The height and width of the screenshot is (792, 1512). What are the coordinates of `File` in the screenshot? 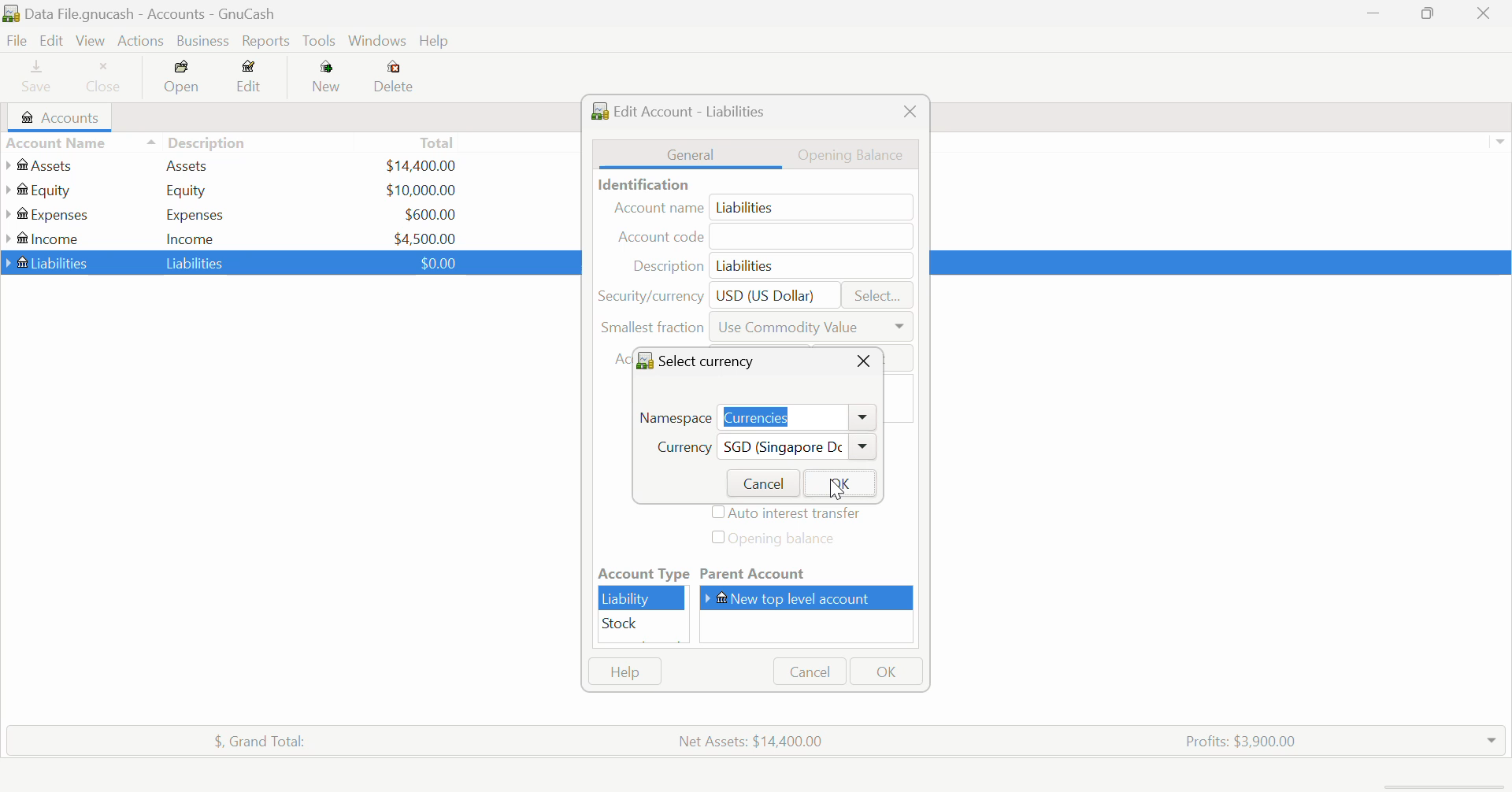 It's located at (15, 41).